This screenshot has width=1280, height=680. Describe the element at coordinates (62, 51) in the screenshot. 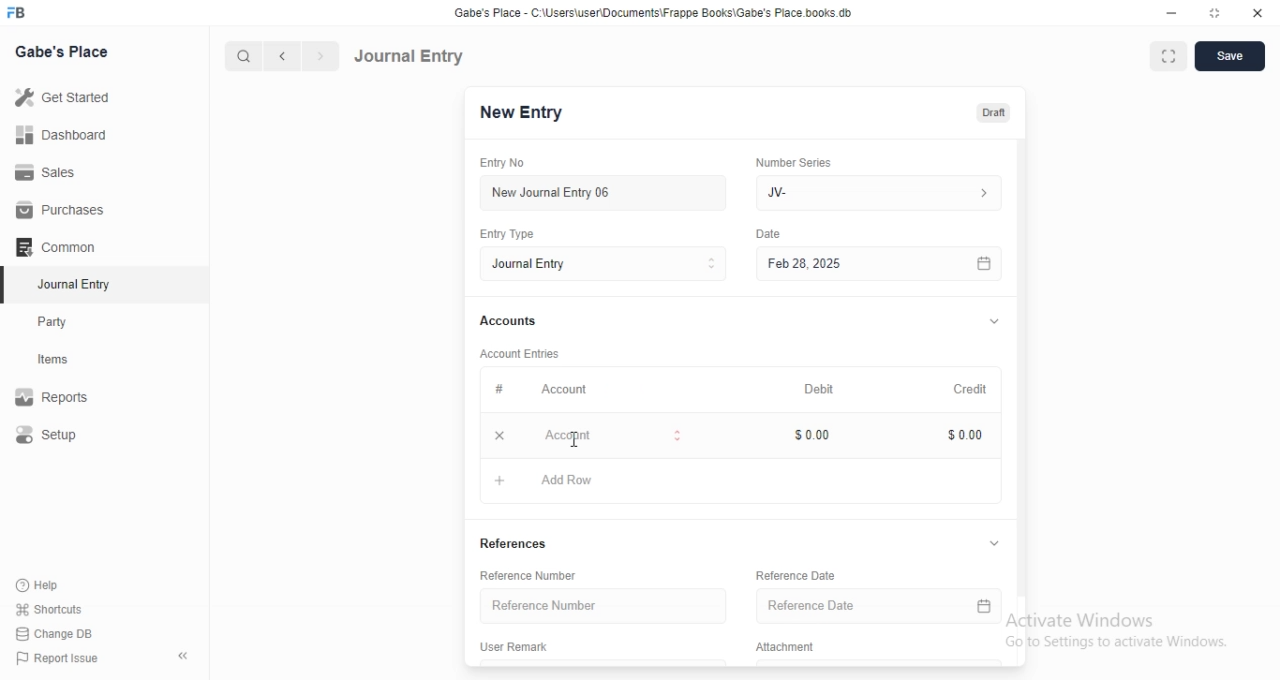

I see `Gabe's Place` at that location.